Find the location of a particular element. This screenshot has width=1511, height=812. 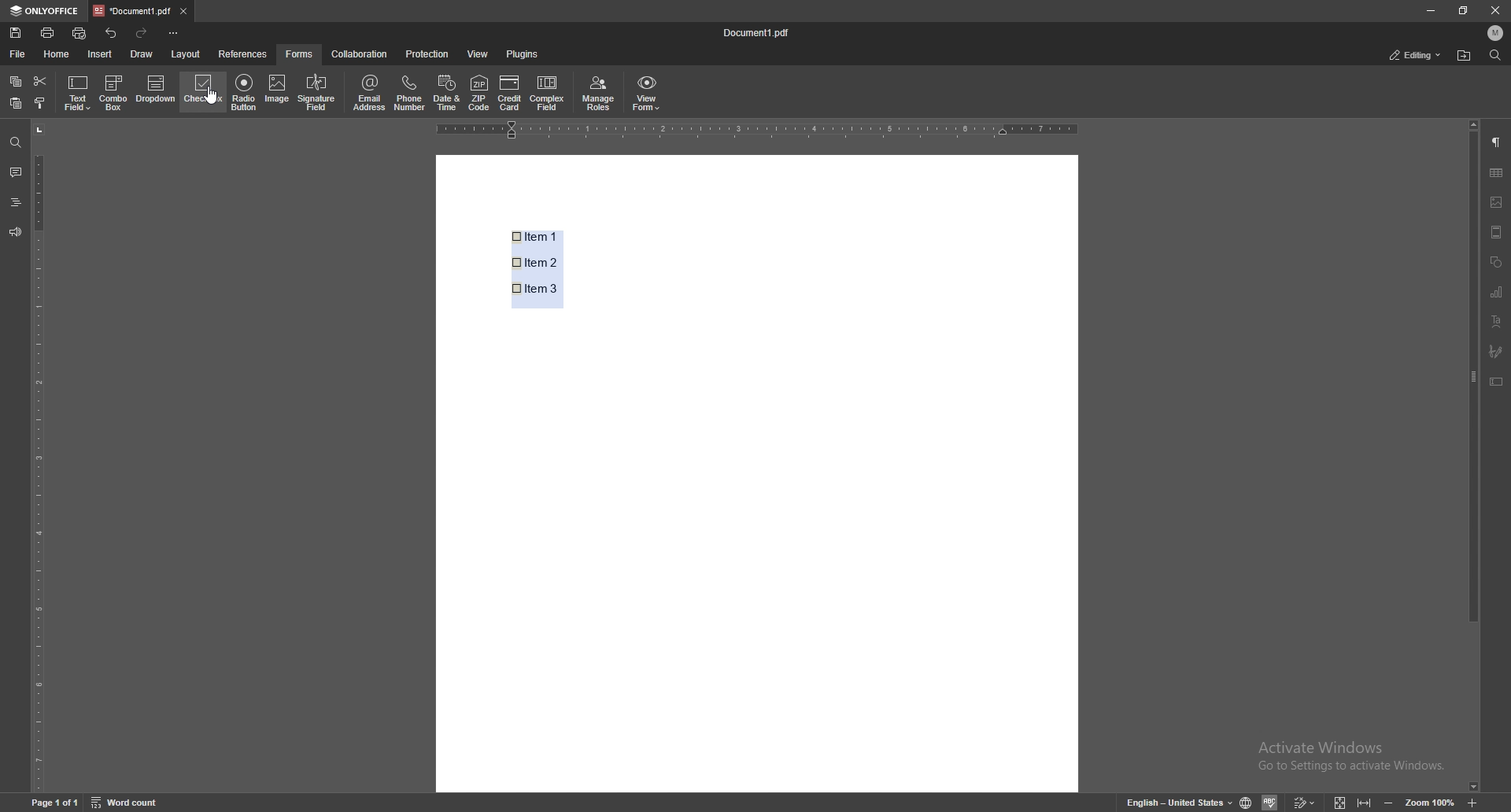

collaboration is located at coordinates (358, 54).